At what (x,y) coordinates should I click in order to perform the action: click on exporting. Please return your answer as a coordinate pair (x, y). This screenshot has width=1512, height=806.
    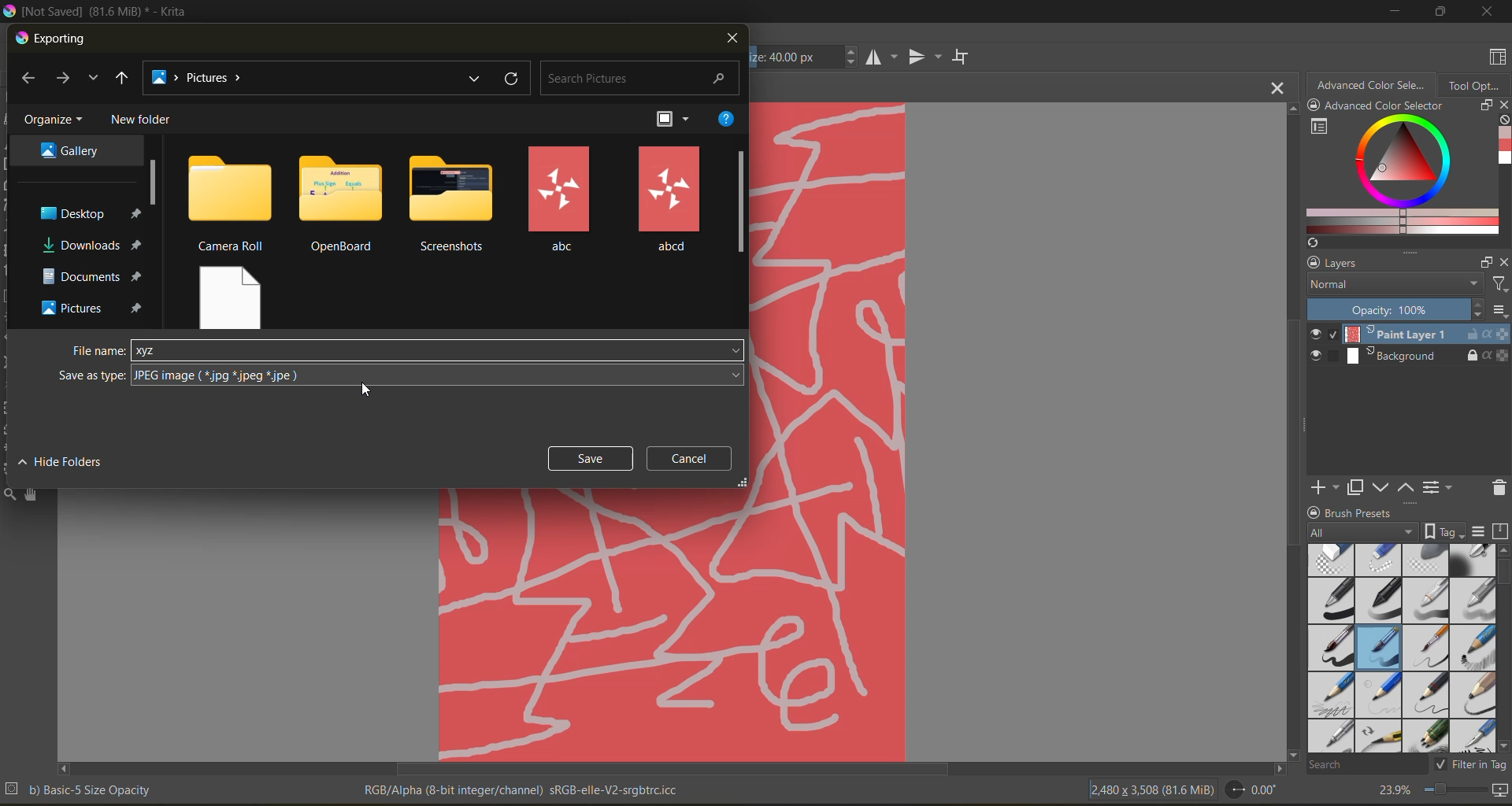
    Looking at the image, I should click on (53, 39).